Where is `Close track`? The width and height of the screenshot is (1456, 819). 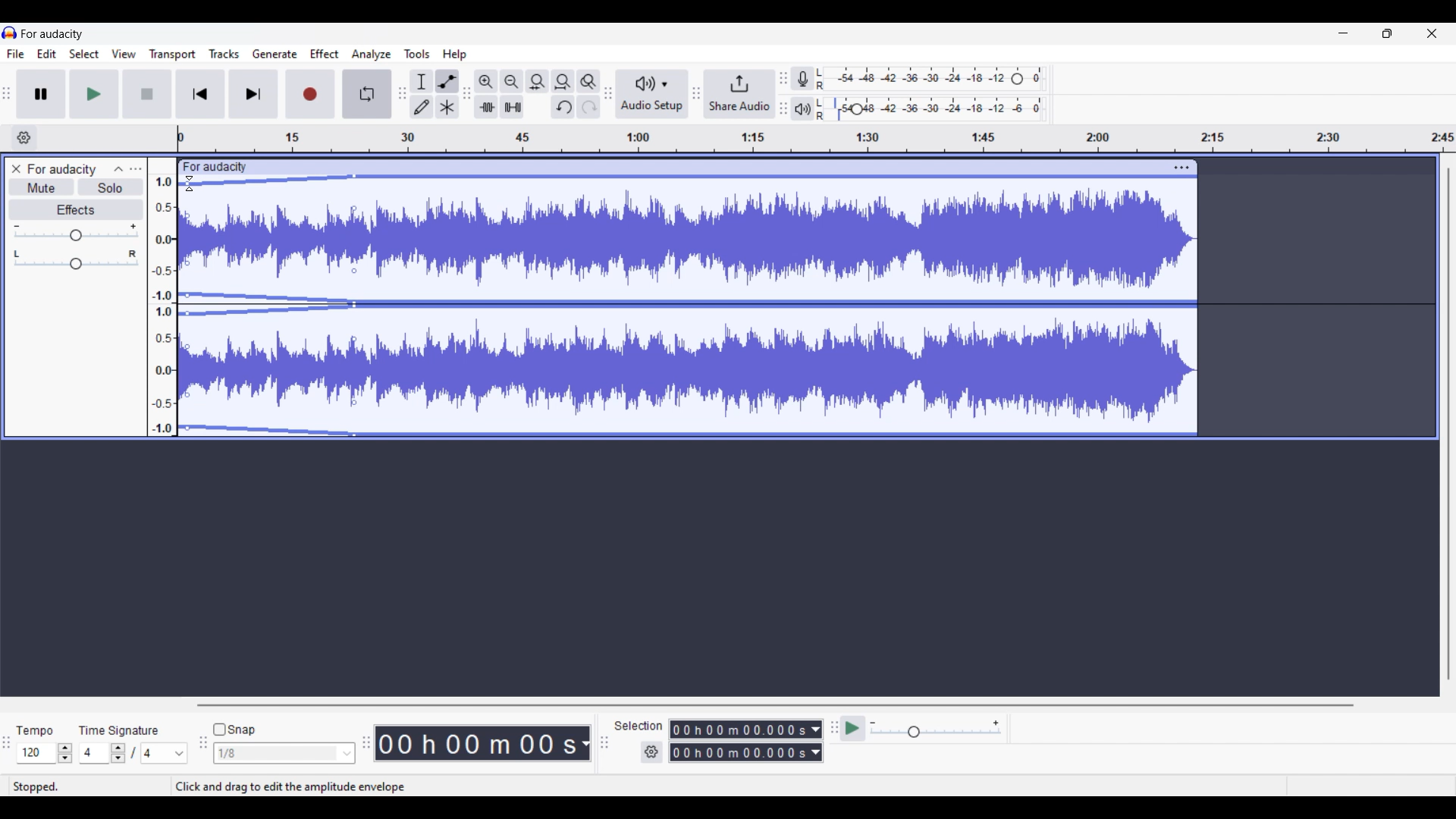 Close track is located at coordinates (17, 168).